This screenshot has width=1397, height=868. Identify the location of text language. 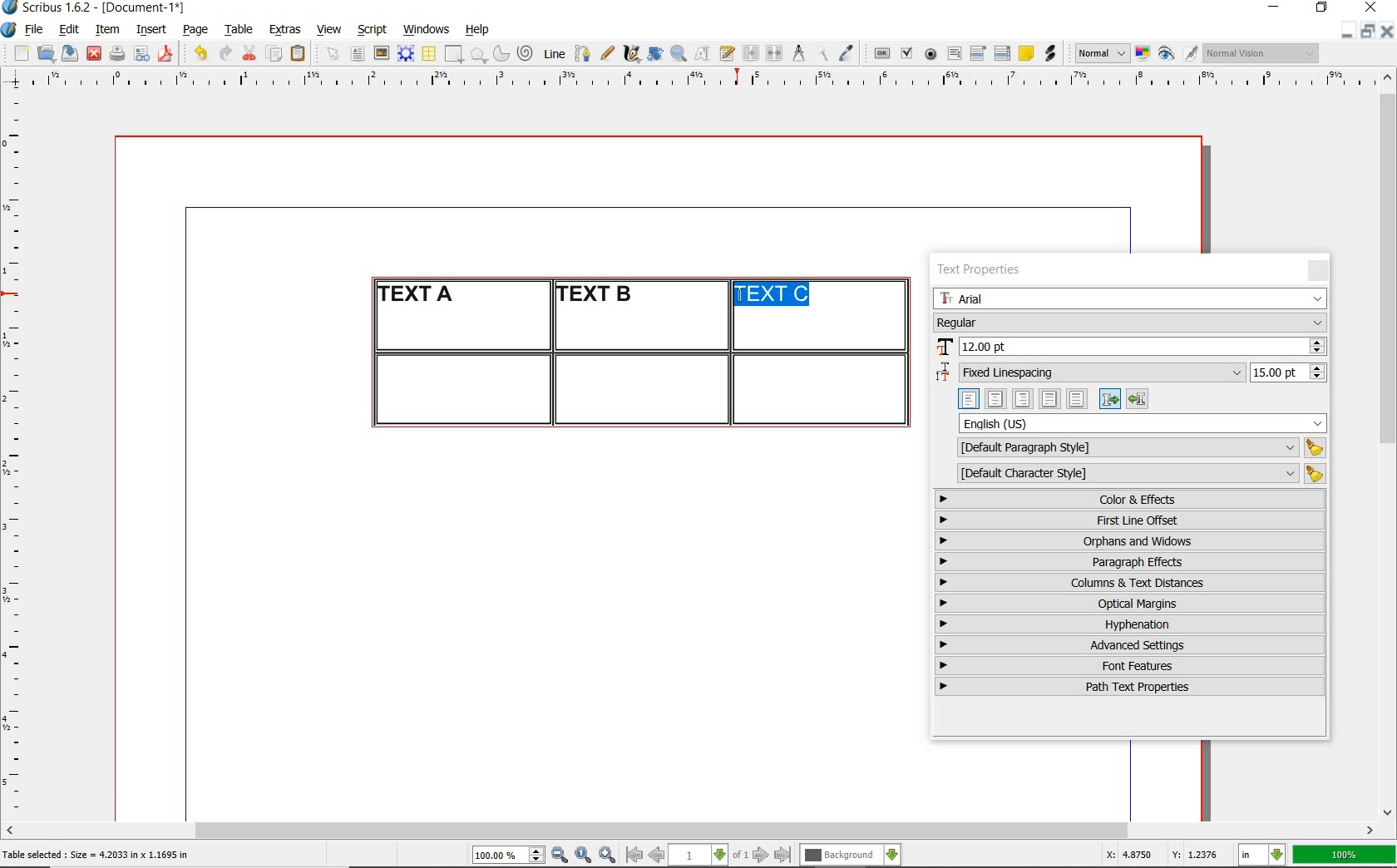
(1143, 423).